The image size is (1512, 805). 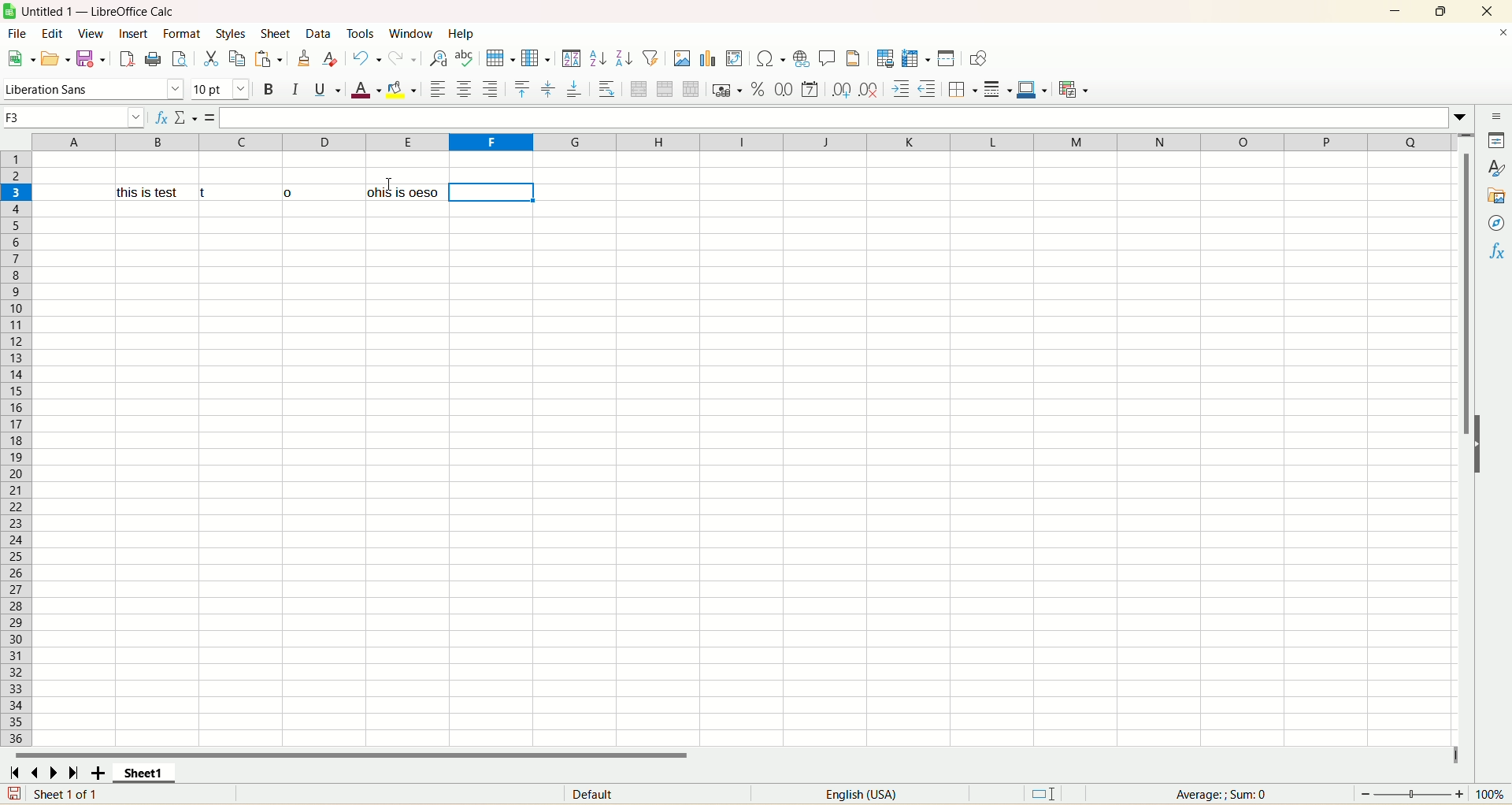 What do you see at coordinates (979, 58) in the screenshot?
I see `draw function` at bounding box center [979, 58].